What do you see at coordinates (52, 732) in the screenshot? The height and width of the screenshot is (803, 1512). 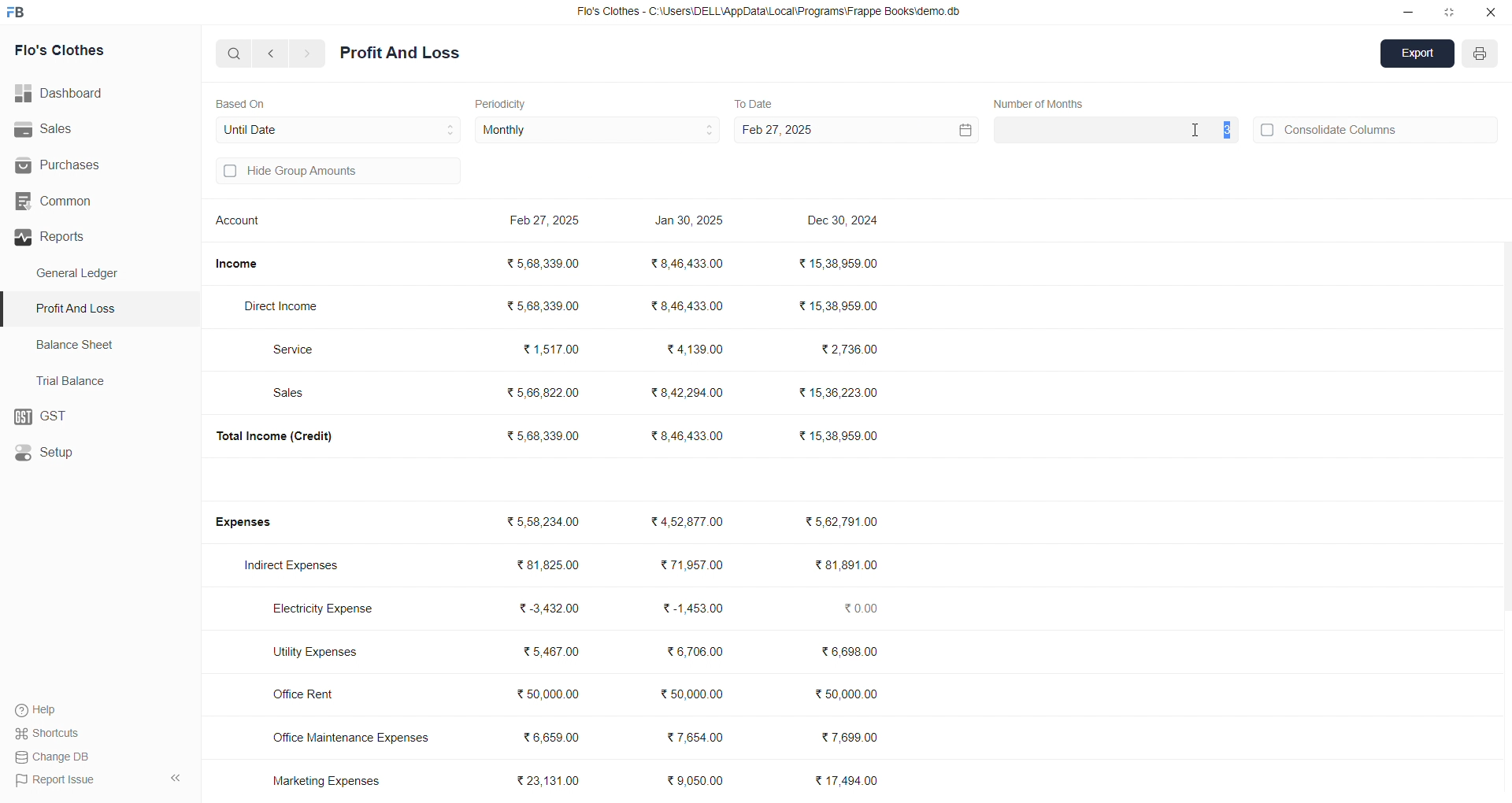 I see `Shortcuts` at bounding box center [52, 732].